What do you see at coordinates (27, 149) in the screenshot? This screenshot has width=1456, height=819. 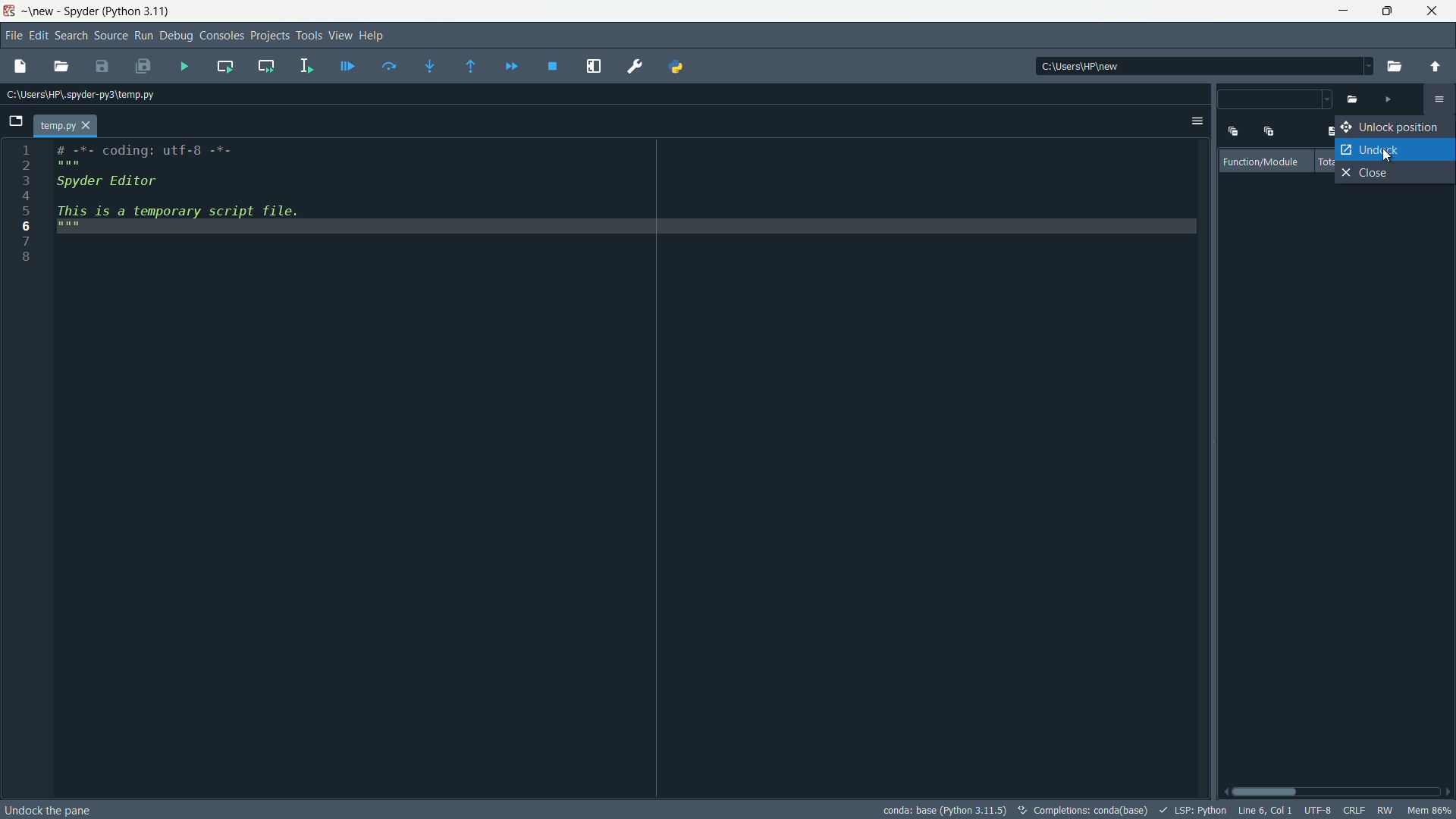 I see `1` at bounding box center [27, 149].